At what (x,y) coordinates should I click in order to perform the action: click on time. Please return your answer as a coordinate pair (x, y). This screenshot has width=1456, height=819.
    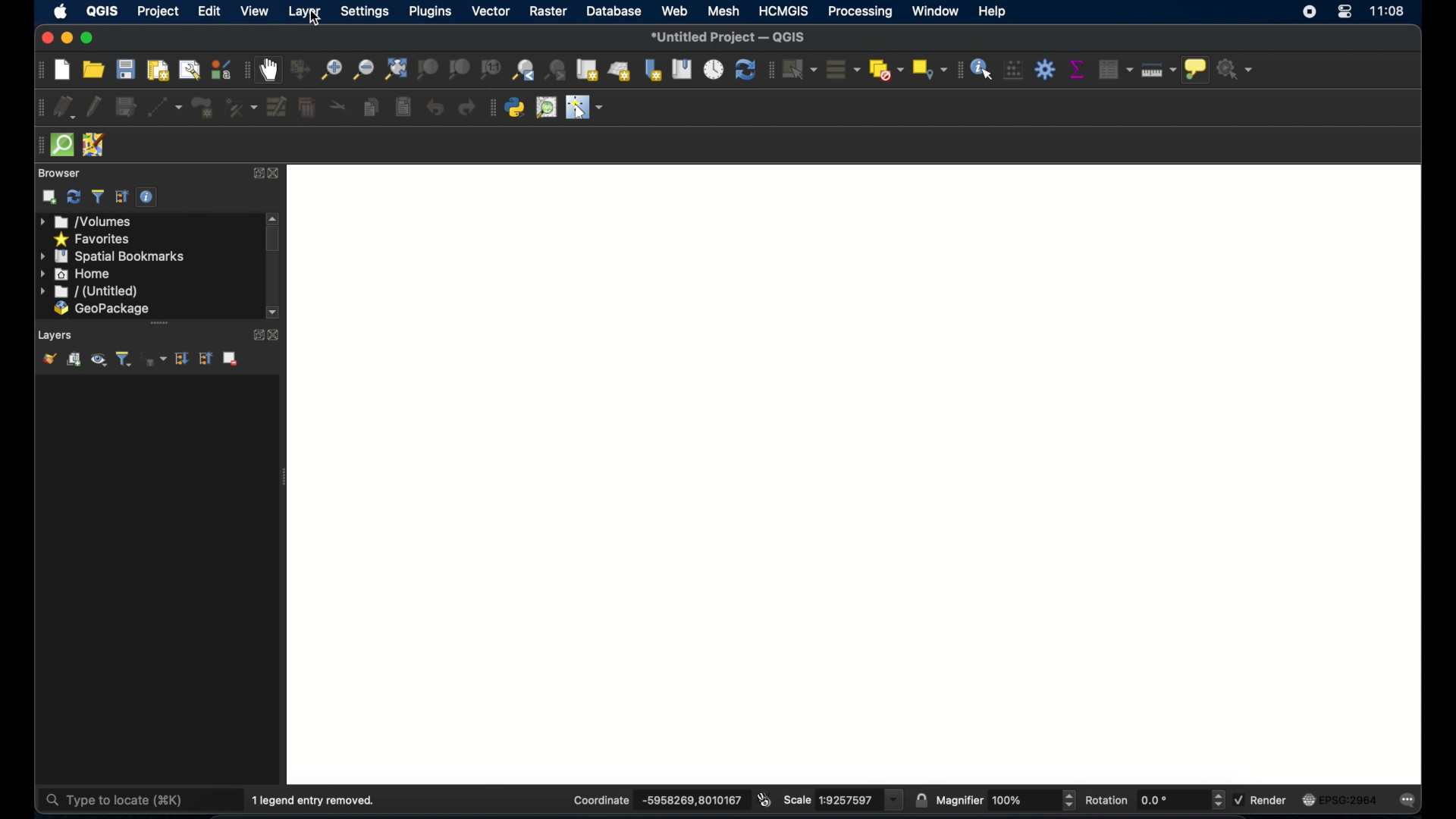
    Looking at the image, I should click on (1389, 13).